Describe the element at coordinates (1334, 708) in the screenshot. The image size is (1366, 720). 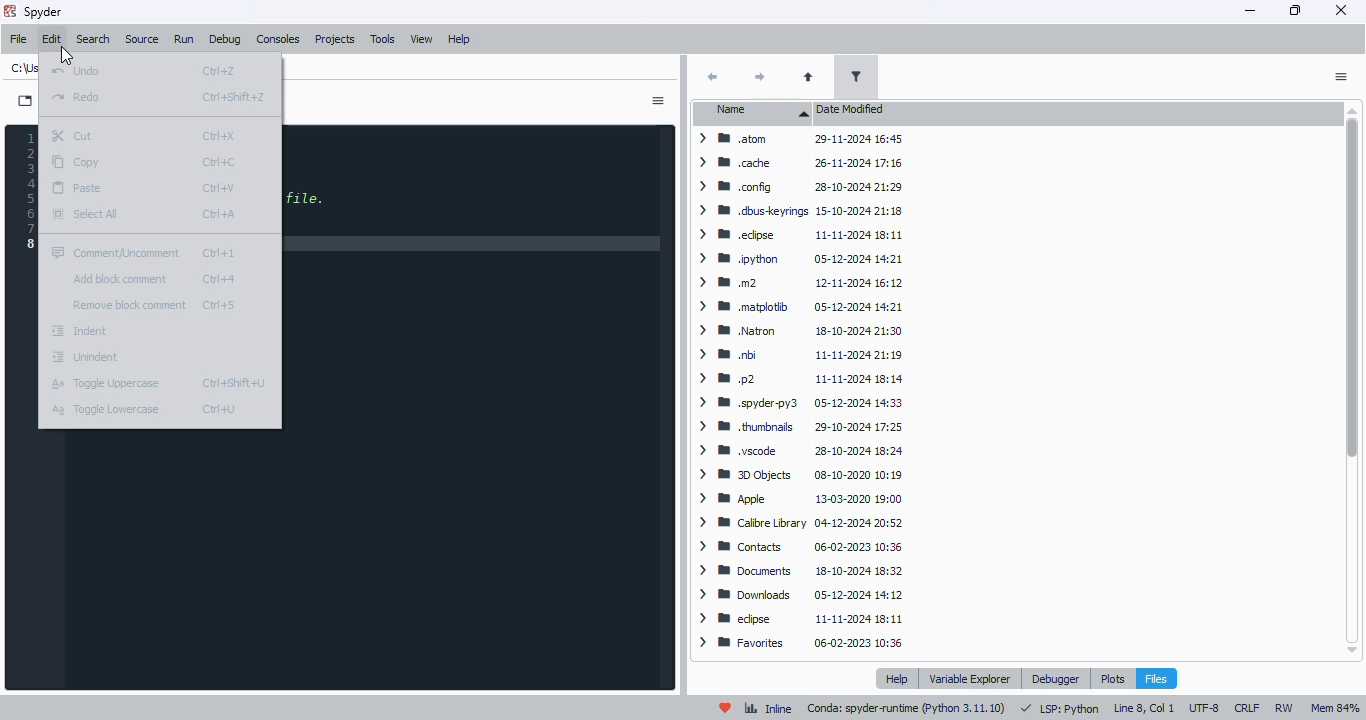
I see `mem 83%` at that location.